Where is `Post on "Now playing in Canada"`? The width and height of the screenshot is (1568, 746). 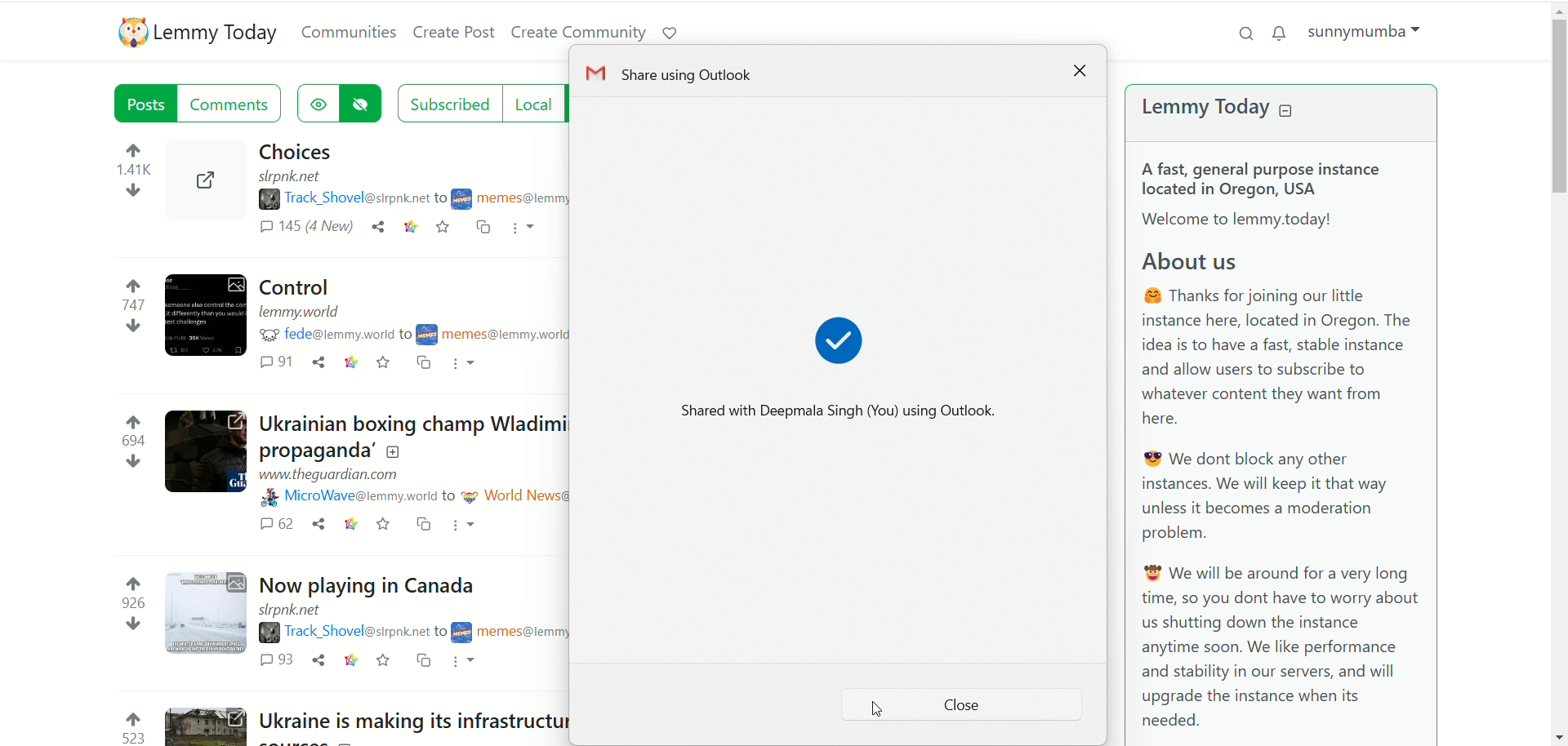
Post on "Now playing in Canada" is located at coordinates (365, 583).